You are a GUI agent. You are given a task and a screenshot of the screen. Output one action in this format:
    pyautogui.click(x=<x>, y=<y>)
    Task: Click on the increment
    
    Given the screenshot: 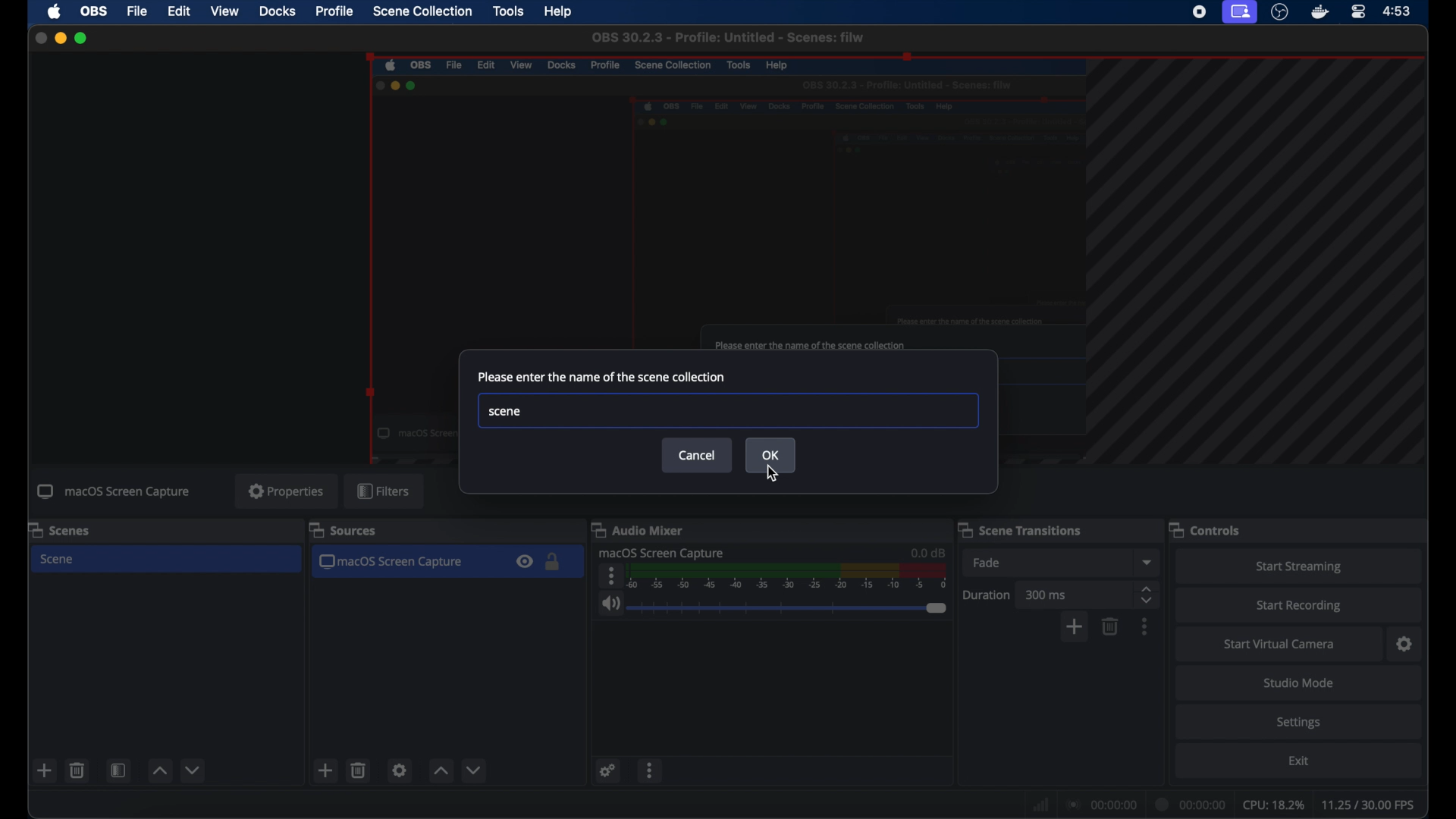 What is the action you would take?
    pyautogui.click(x=441, y=771)
    